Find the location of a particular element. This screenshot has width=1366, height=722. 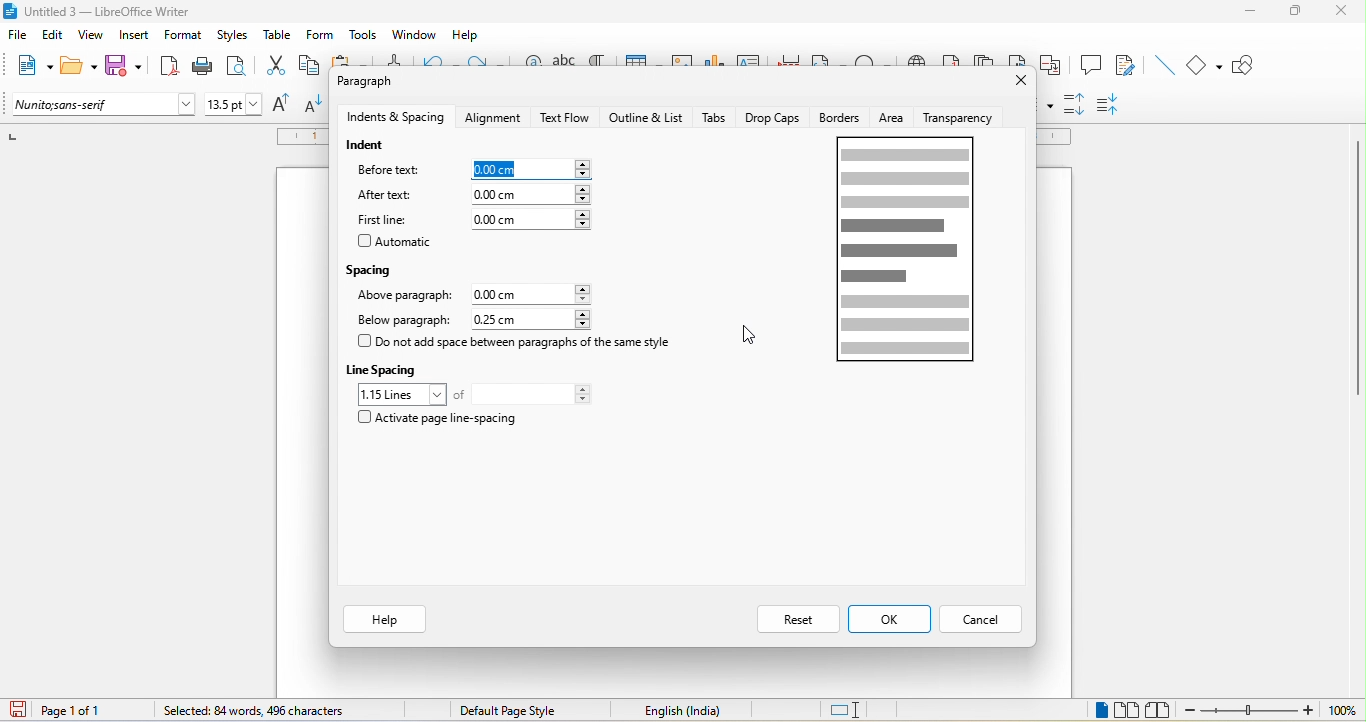

vertical scroll bar is located at coordinates (1357, 270).